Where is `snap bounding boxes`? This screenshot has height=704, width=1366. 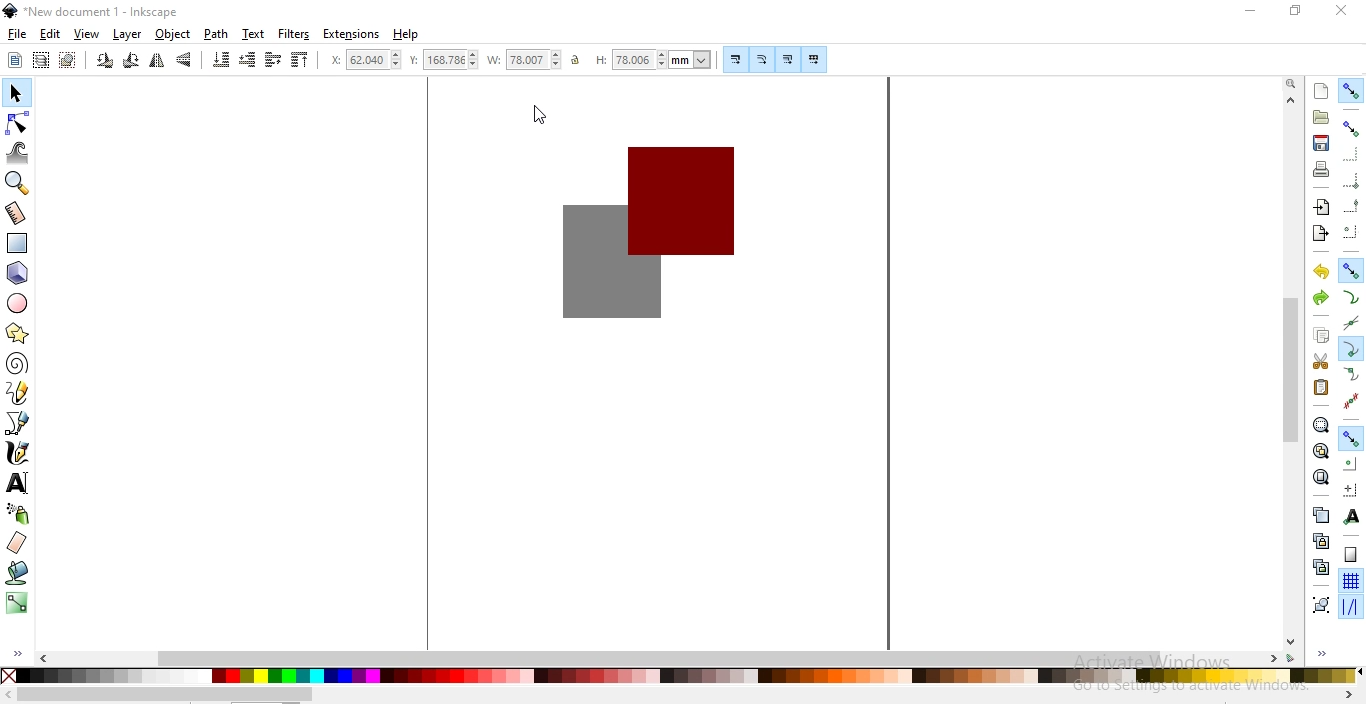
snap bounding boxes is located at coordinates (1353, 128).